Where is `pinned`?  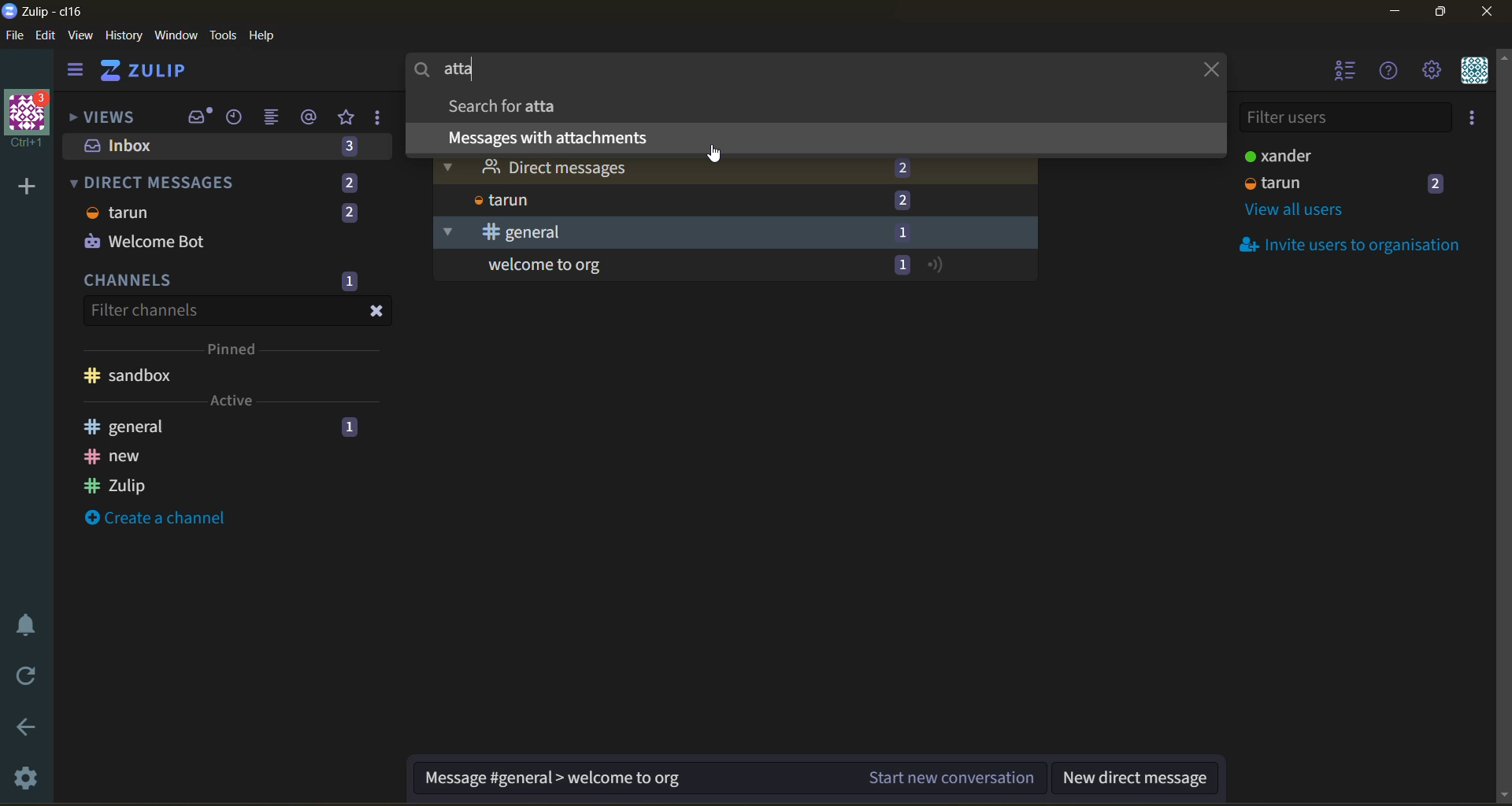
pinned is located at coordinates (236, 347).